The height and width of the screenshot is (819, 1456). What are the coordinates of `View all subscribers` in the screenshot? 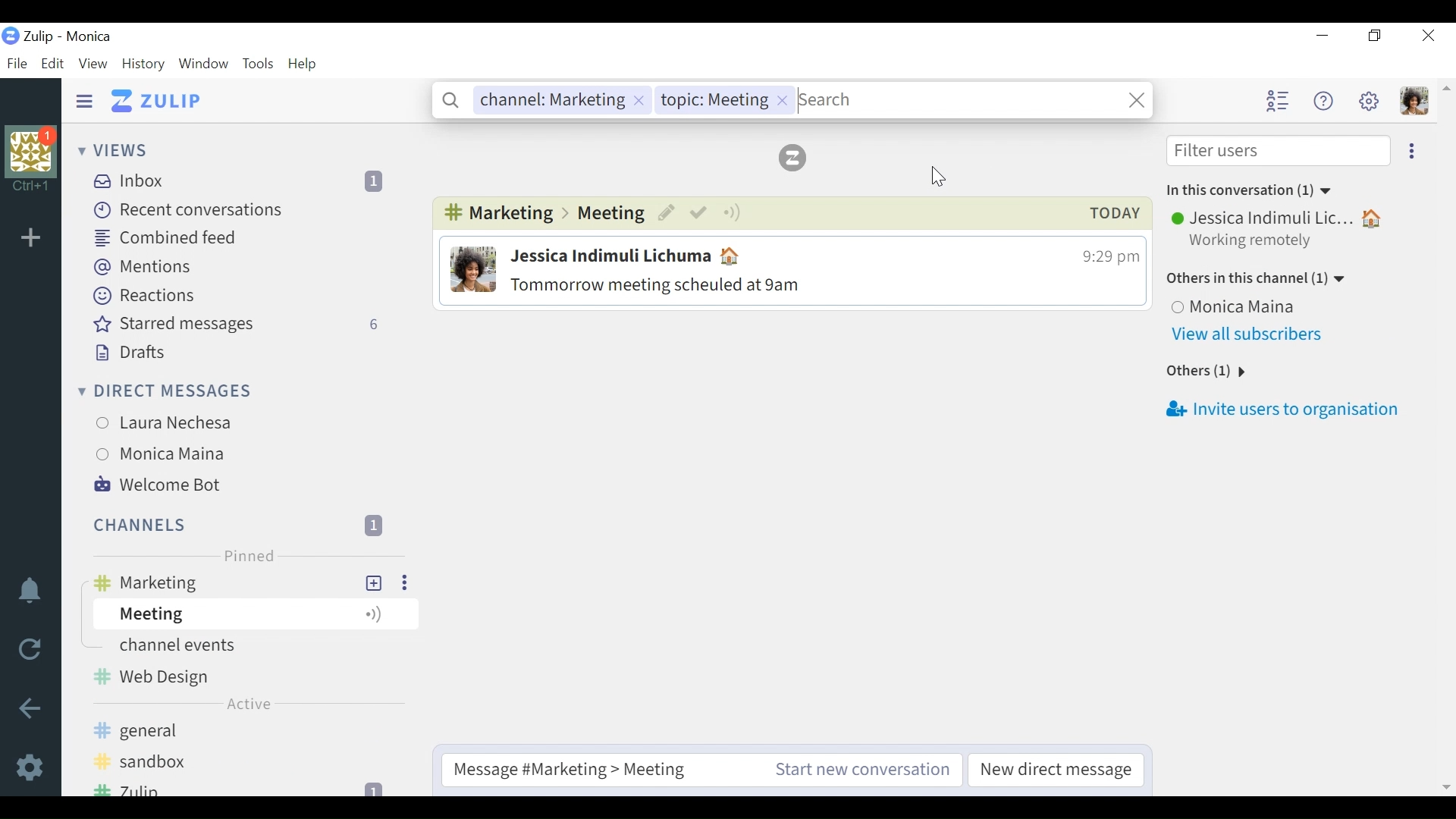 It's located at (1246, 335).